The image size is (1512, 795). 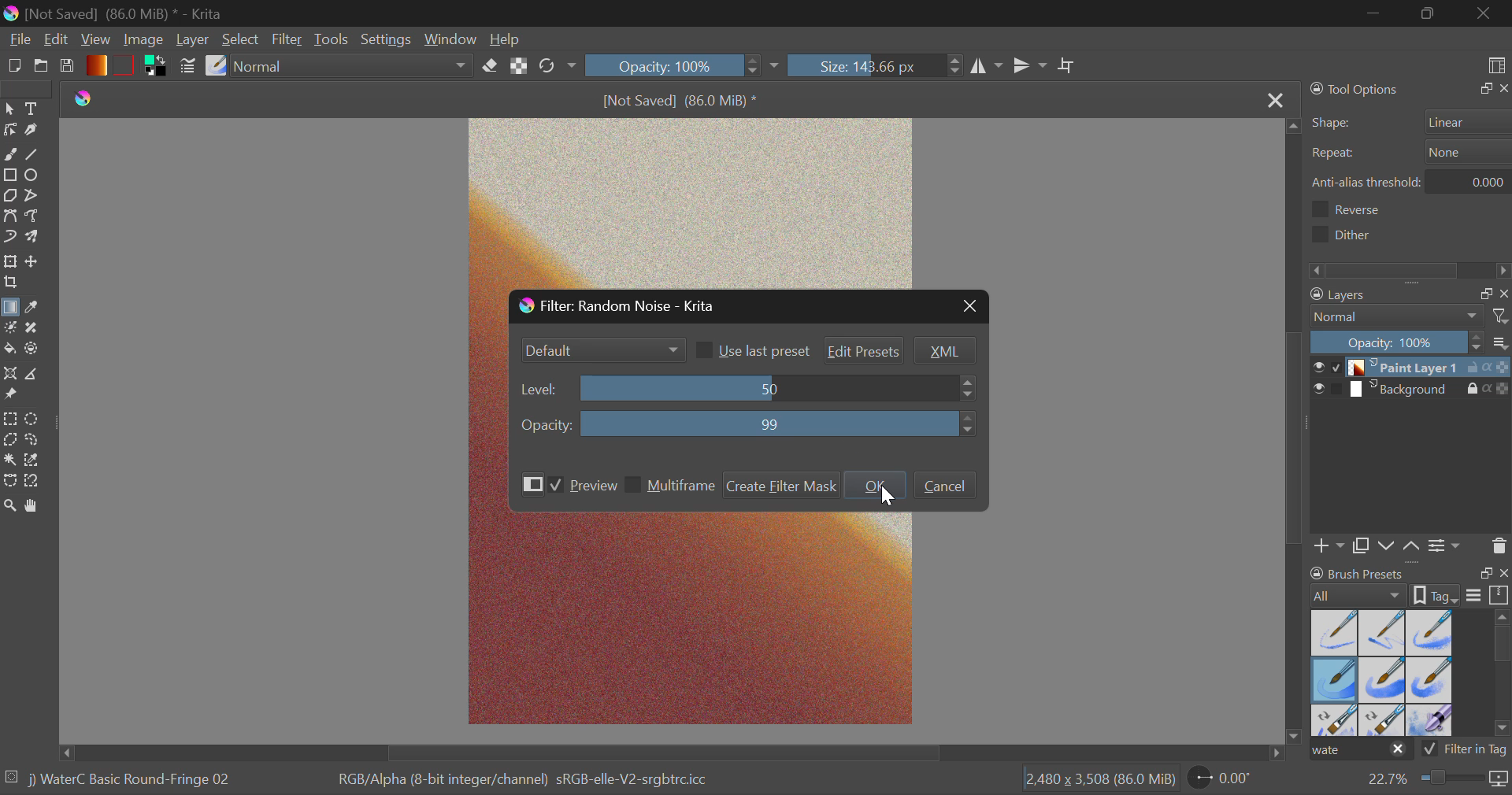 I want to click on Colorize Mask Tool, so click(x=9, y=329).